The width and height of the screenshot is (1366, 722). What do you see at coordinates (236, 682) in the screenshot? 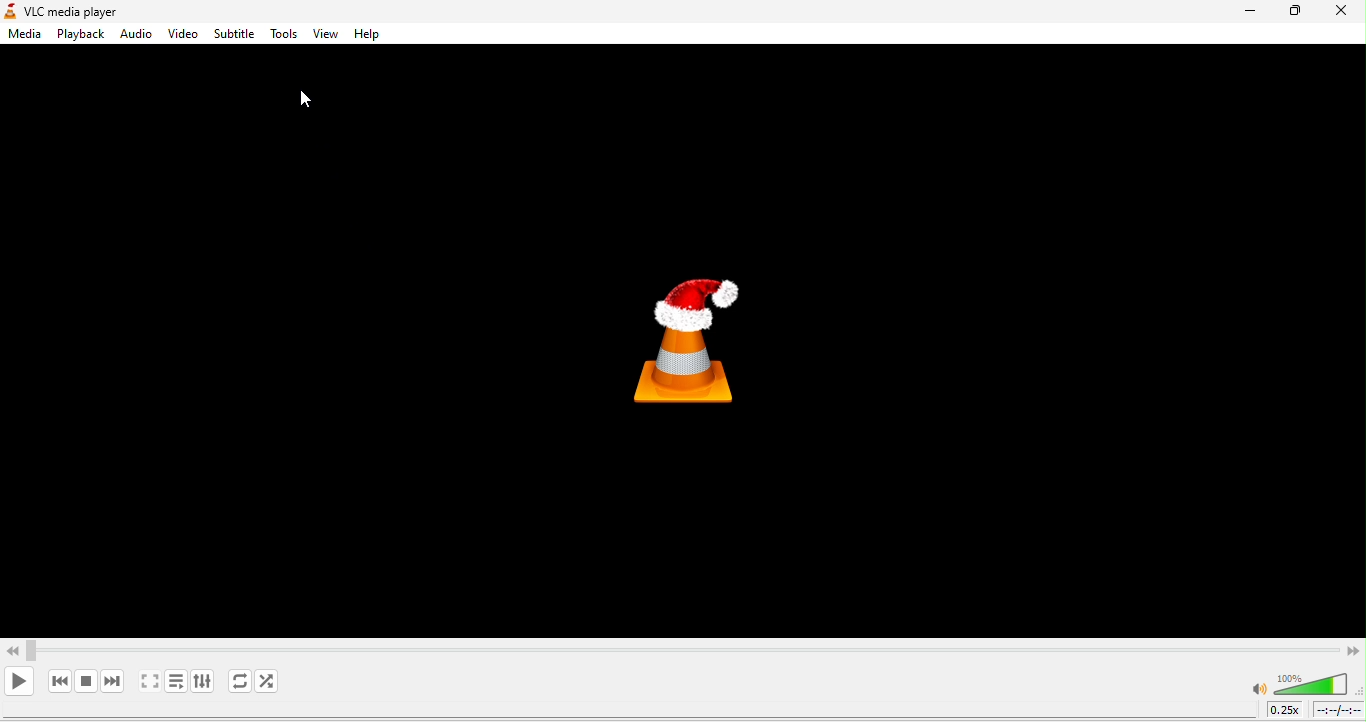
I see `click to toggle between loop all` at bounding box center [236, 682].